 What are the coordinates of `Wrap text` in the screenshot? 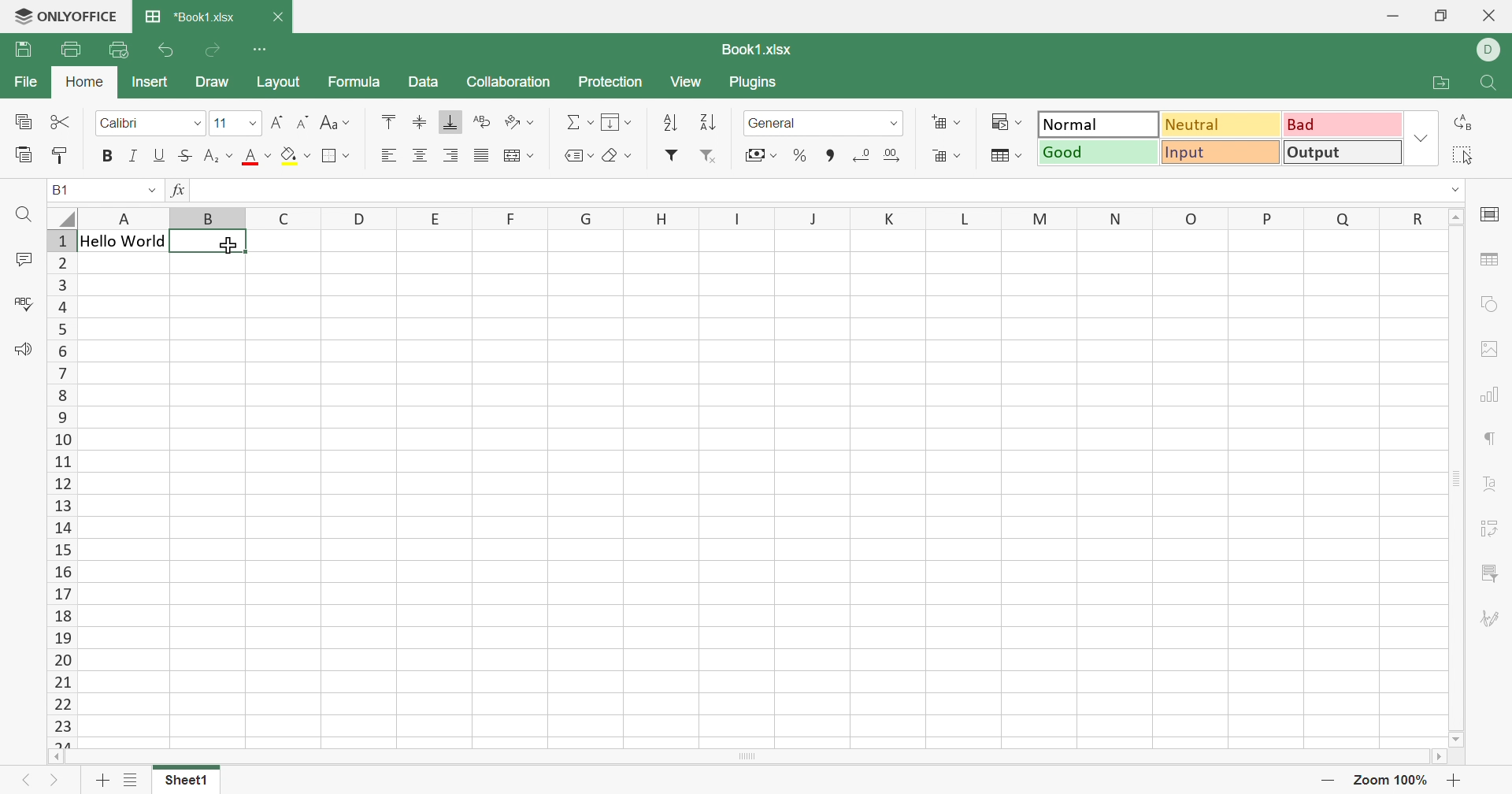 It's located at (480, 123).